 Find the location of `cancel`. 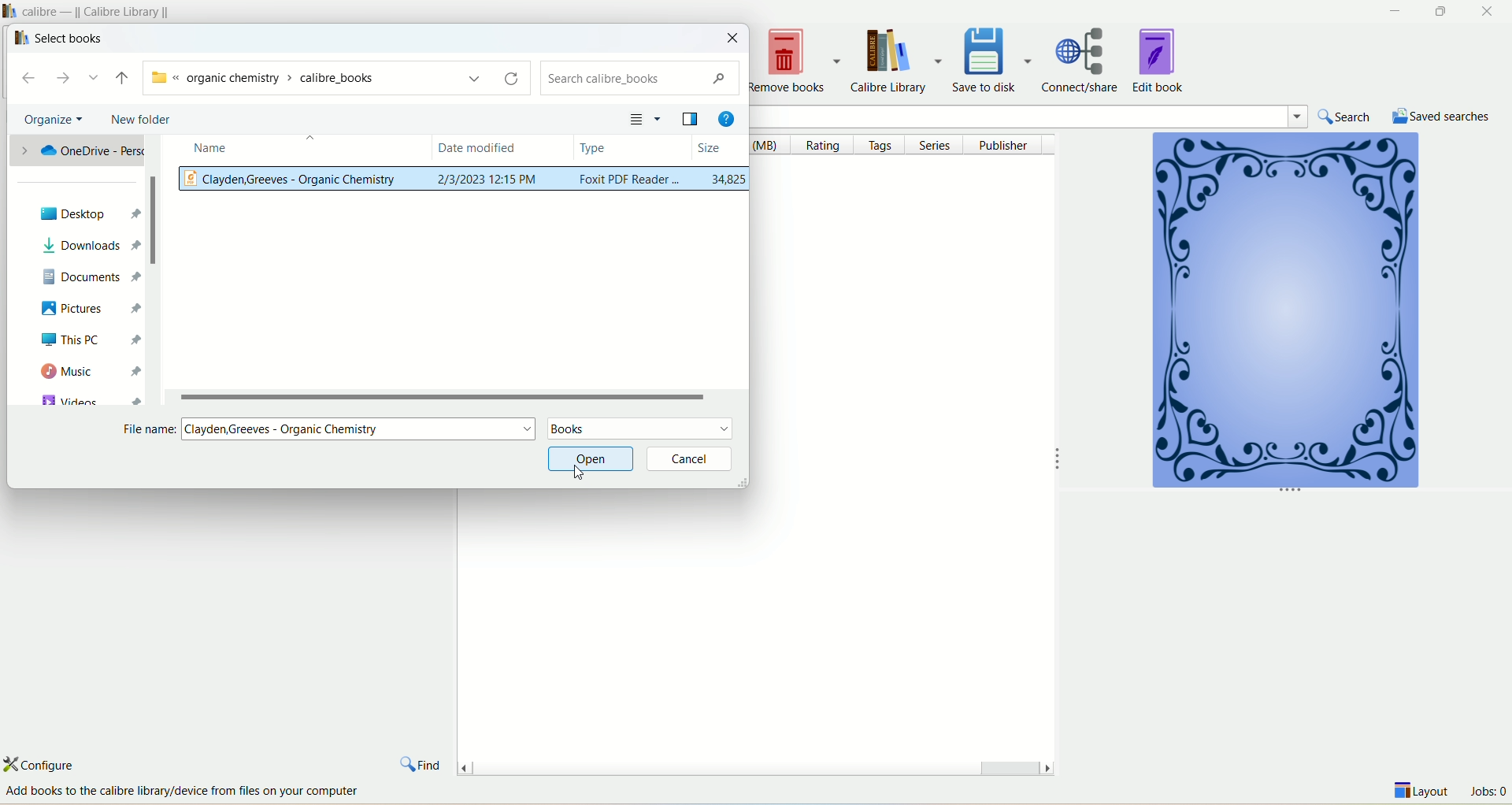

cancel is located at coordinates (691, 459).